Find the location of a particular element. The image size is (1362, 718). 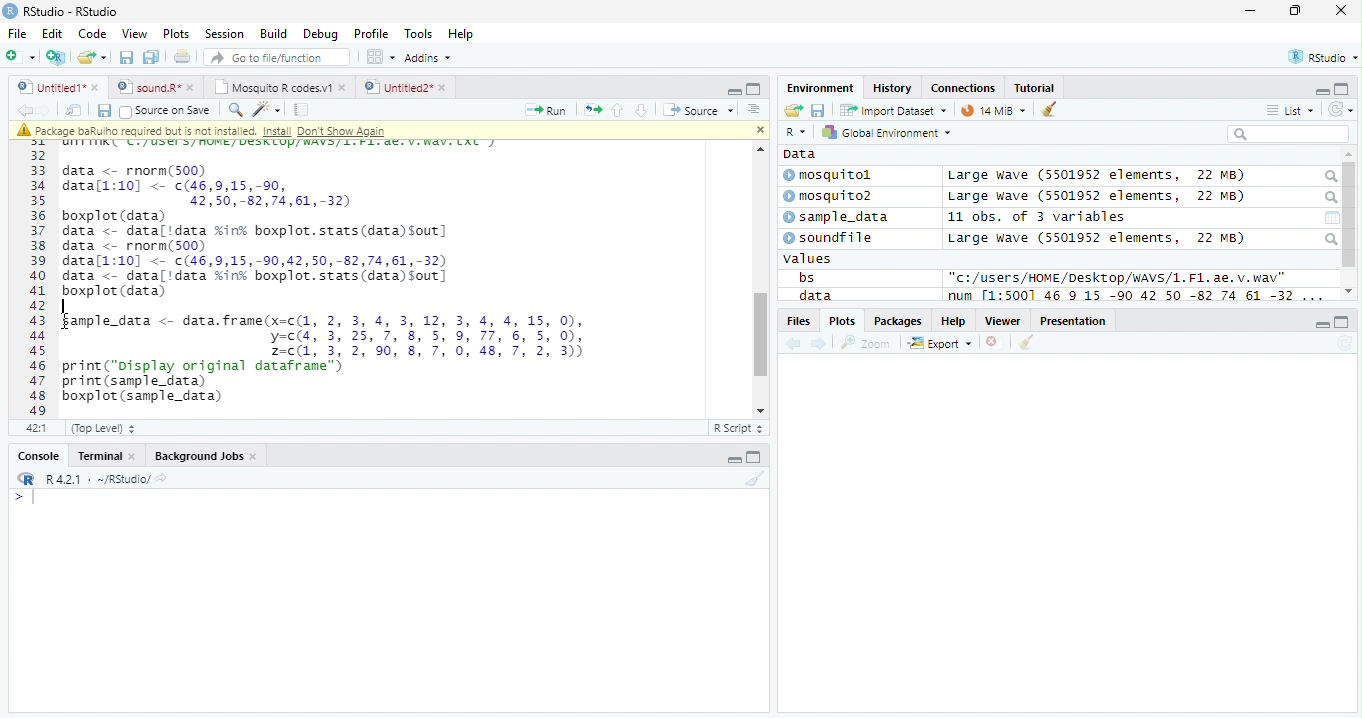

data <- rnorm(500)
data[1:10] <- c(46,9,15,-90,
42,50,-82,74,61,-32)

boxplot (data)

data <- datal!data %in% boxplot.stats (data) Sout]

data <- rnorm(500)

data[1:10] <- c(46,9,15,-90,42,50,-82,74,61,-32)

data <- data['data %im% boxplot.stats (data) Sout]

boxplot (data)

herpre dsc <- data.frame(x-c(i, 2, 3, 4, 3, 12, 3, 4, 4, 15, 0),
y-c(4, 3, 25,7, 8,5, 9,77, 6,5, 0),
2-c(1, 3, 2, 90, 8, 7, 0, 48, 7, 2, 3))

print("pisplay original dataframe”)

print (sample_data)

boxplot (sample_data) is located at coordinates (325, 283).